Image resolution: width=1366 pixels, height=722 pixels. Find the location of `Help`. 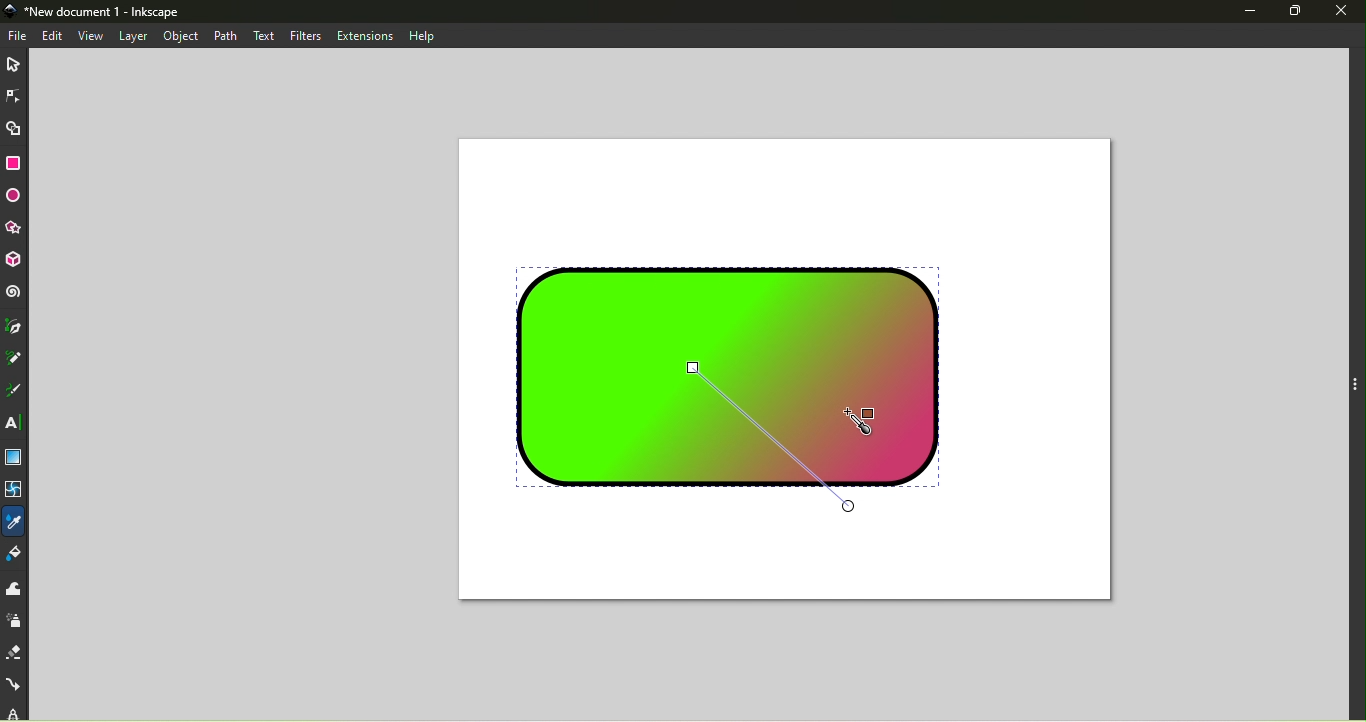

Help is located at coordinates (422, 35).